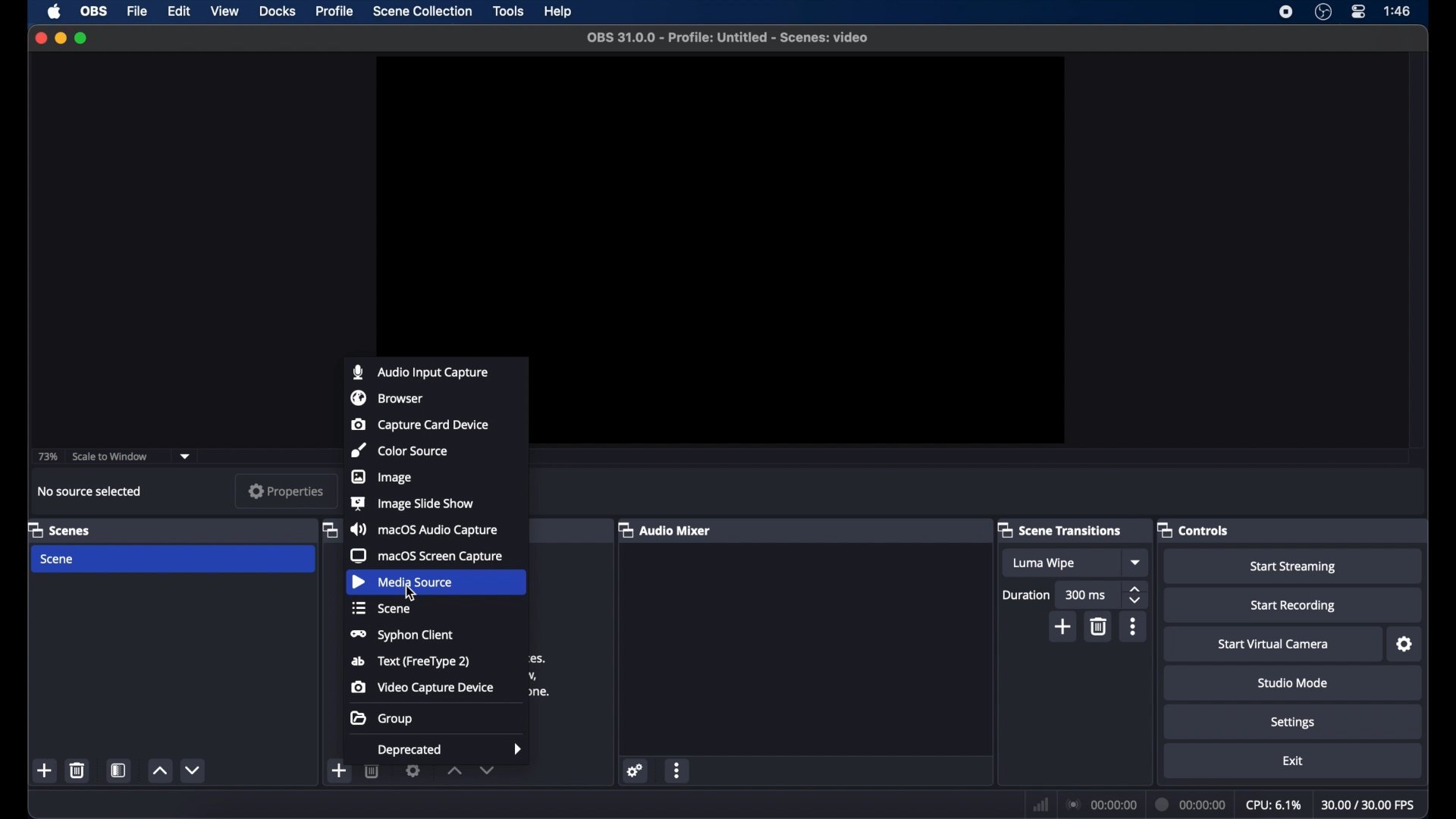 This screenshot has height=819, width=1456. Describe the element at coordinates (60, 38) in the screenshot. I see `minimize` at that location.